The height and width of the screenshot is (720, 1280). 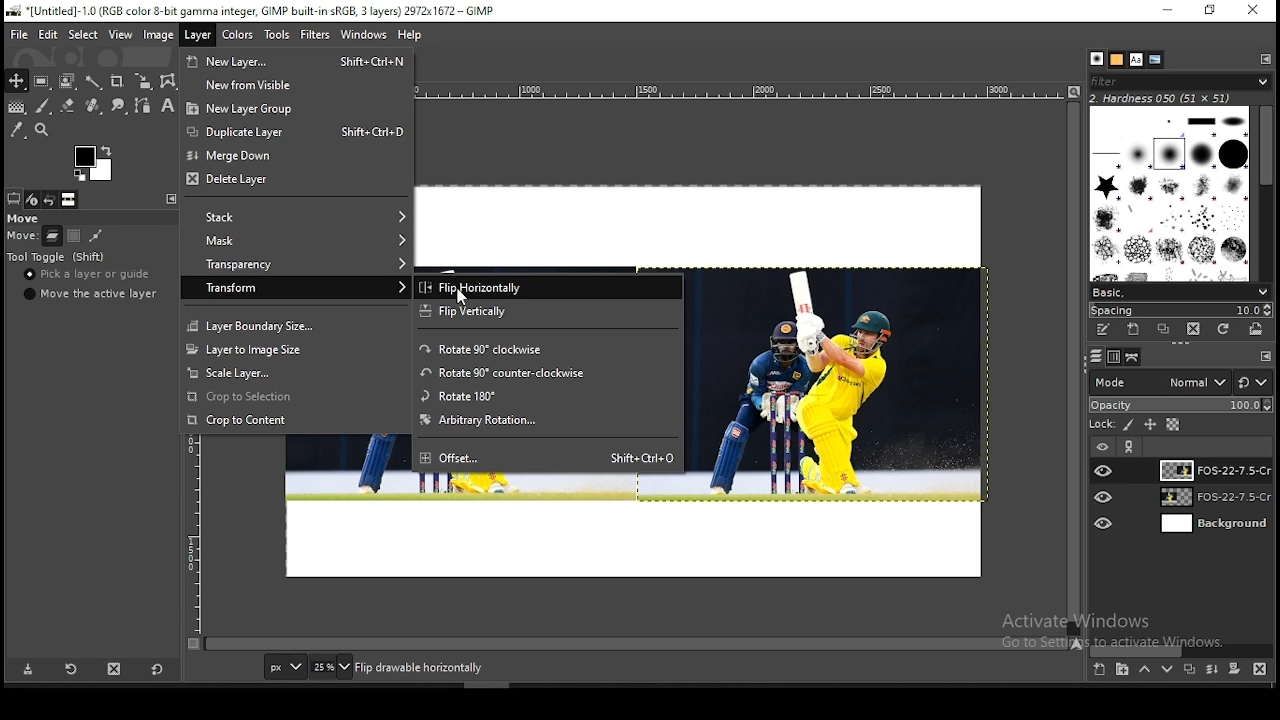 What do you see at coordinates (140, 107) in the screenshot?
I see `paths tool` at bounding box center [140, 107].